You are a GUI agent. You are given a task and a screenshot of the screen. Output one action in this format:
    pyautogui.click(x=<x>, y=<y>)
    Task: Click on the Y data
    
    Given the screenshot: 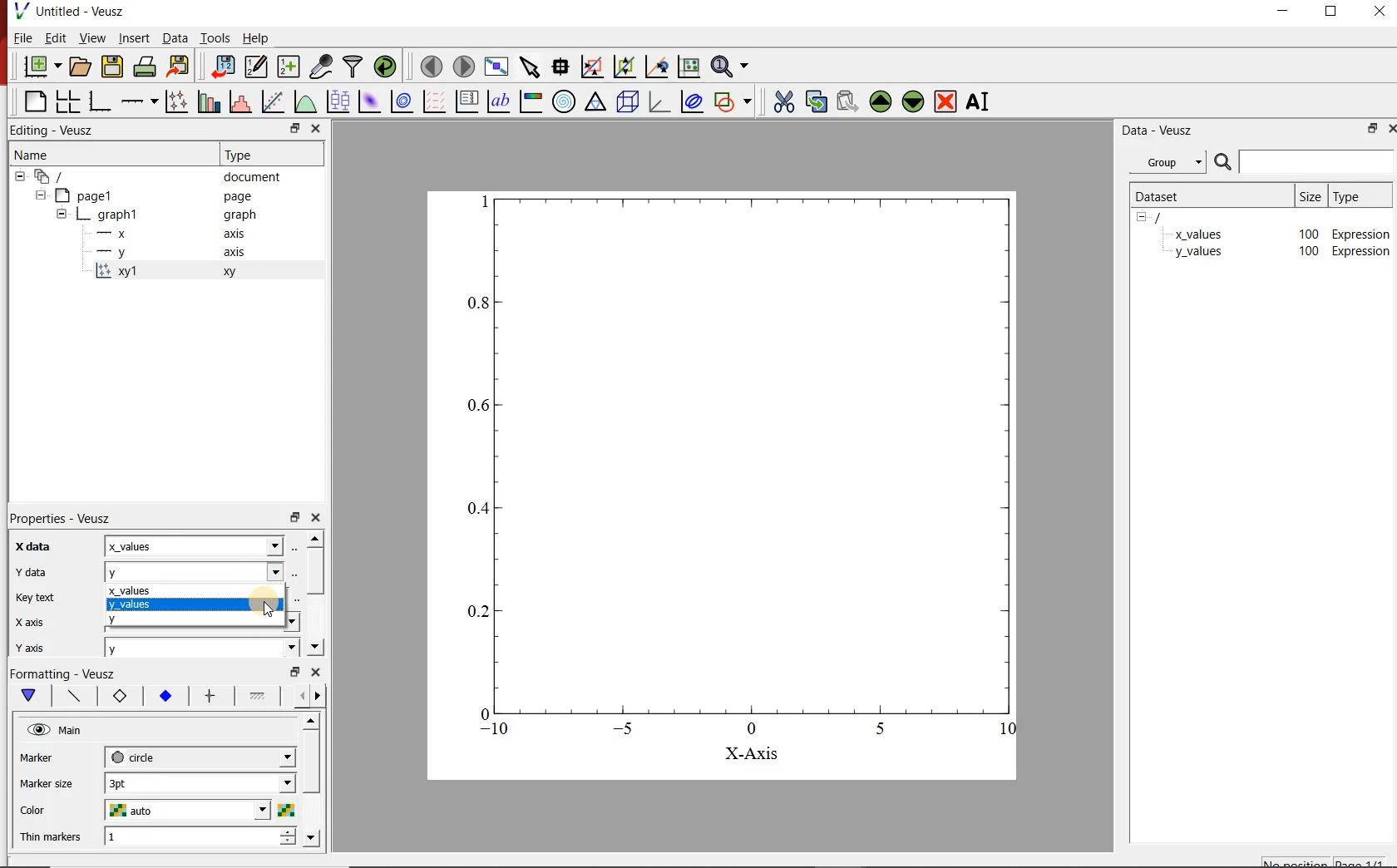 What is the action you would take?
    pyautogui.click(x=37, y=572)
    